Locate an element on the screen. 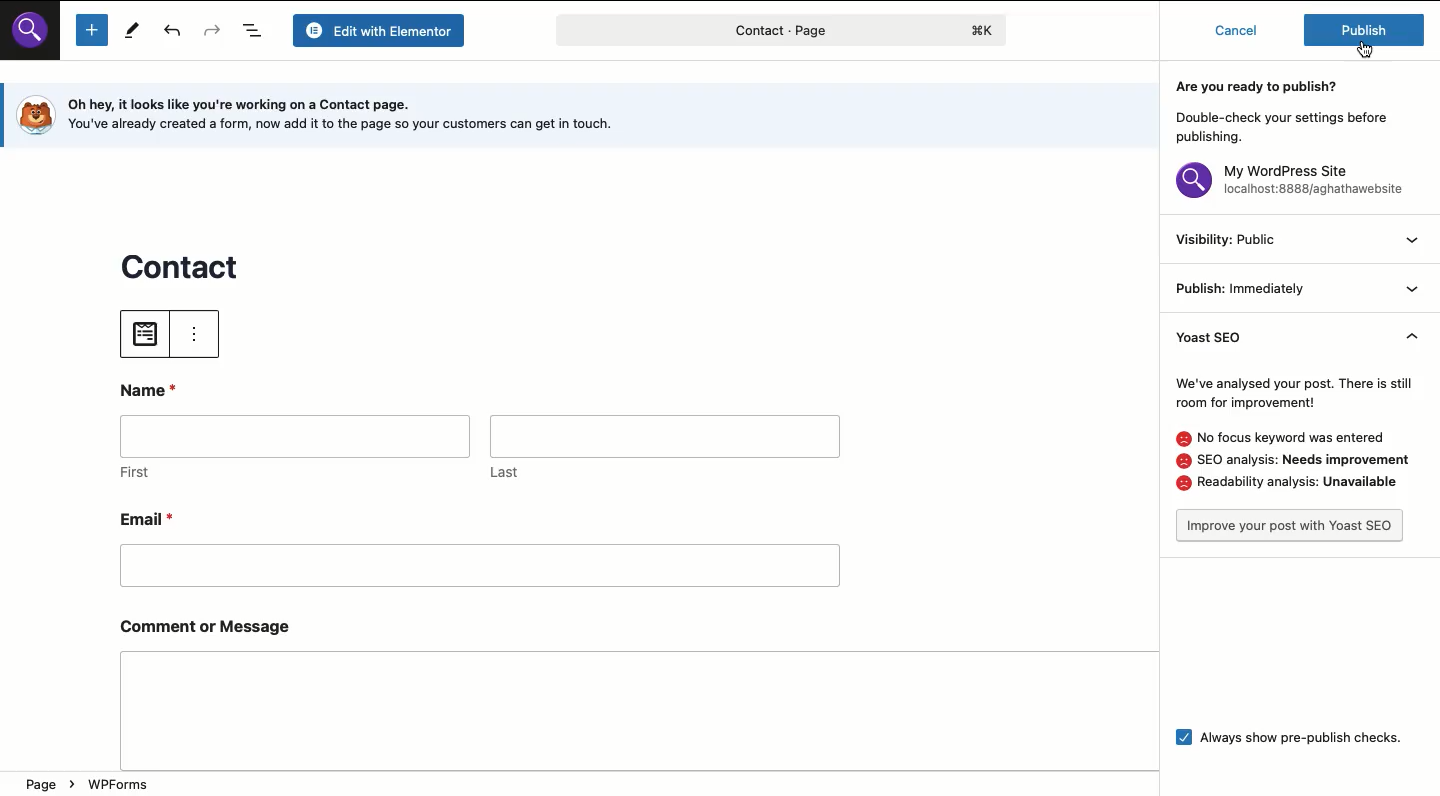  logo is located at coordinates (991, 32).